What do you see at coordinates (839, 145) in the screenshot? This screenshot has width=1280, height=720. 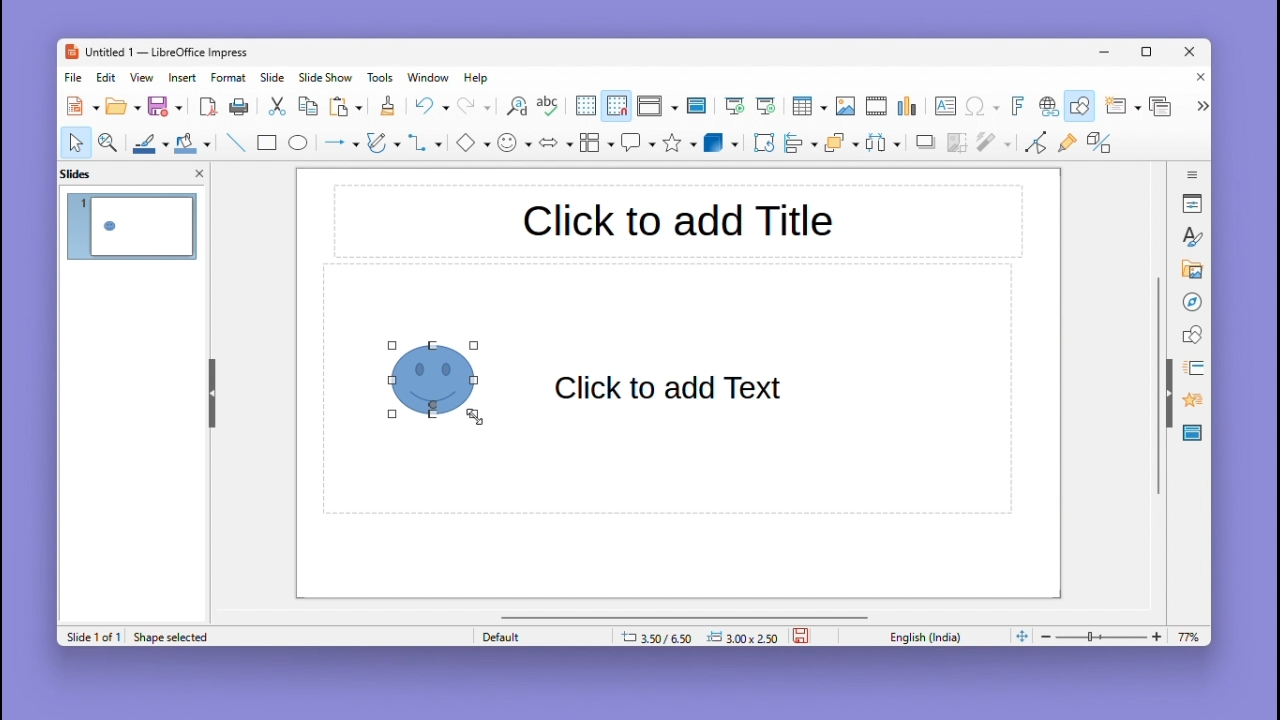 I see `Arrange` at bounding box center [839, 145].